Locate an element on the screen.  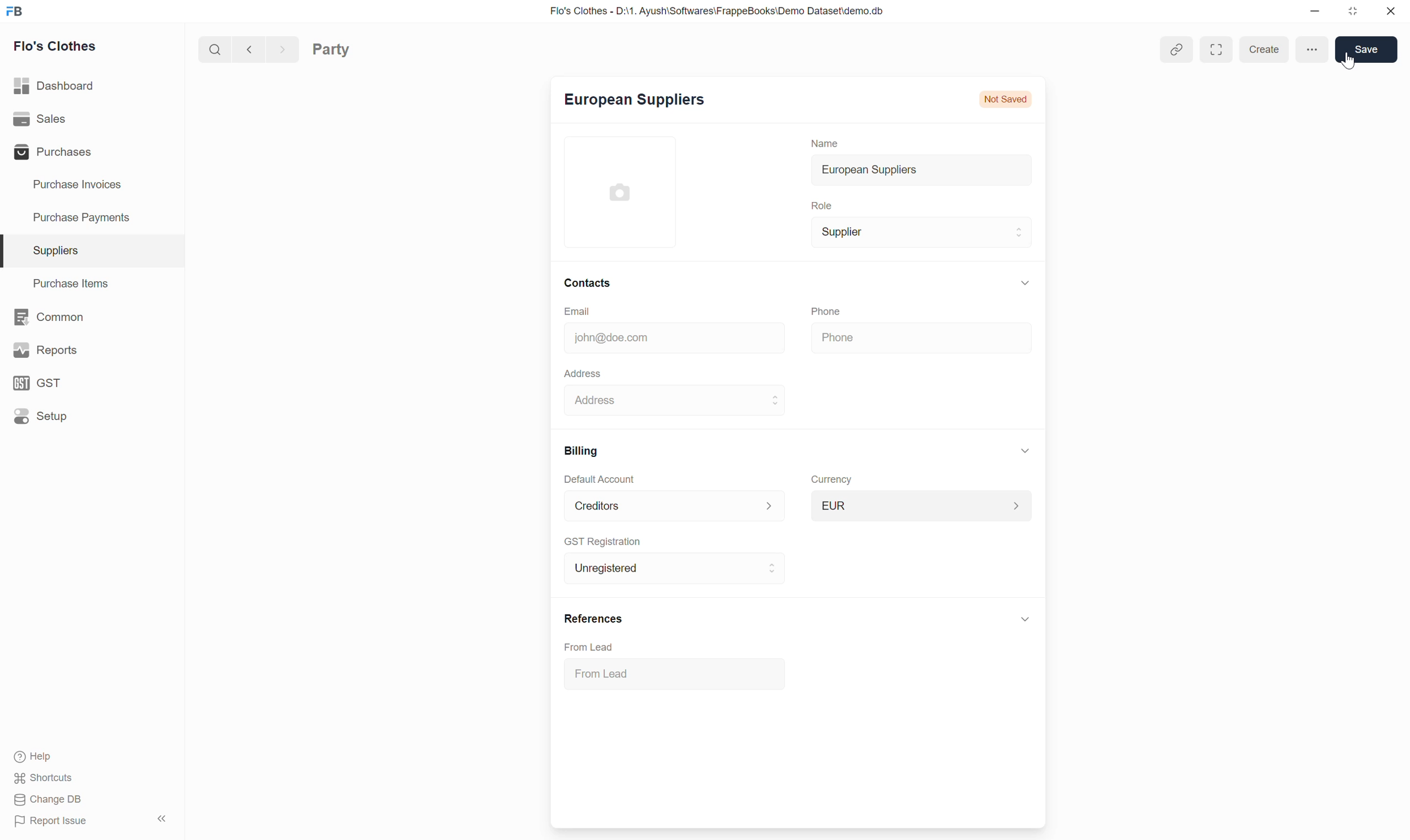
search is located at coordinates (210, 48).